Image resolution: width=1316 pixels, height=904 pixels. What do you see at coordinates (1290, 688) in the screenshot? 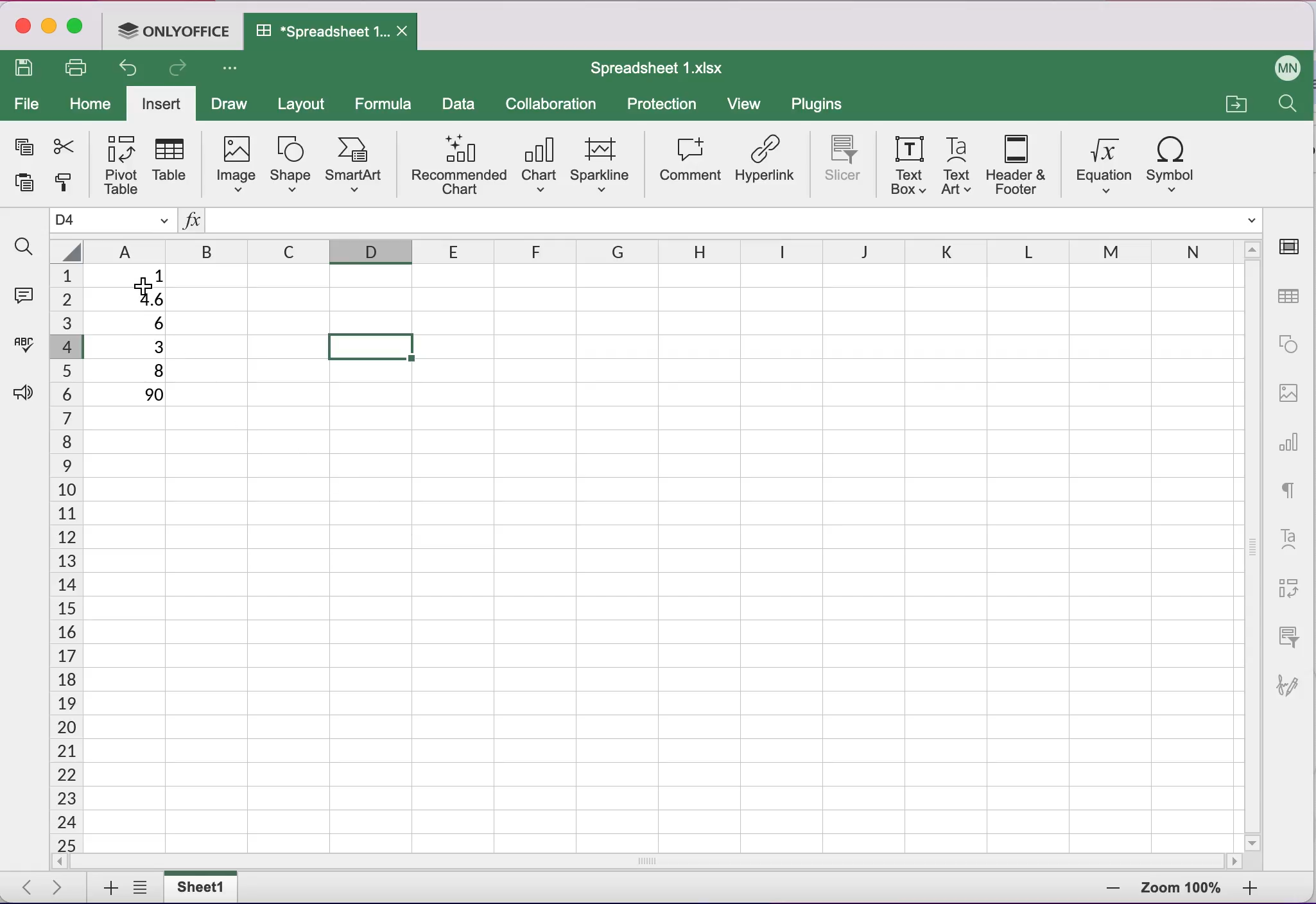
I see `signature` at bounding box center [1290, 688].